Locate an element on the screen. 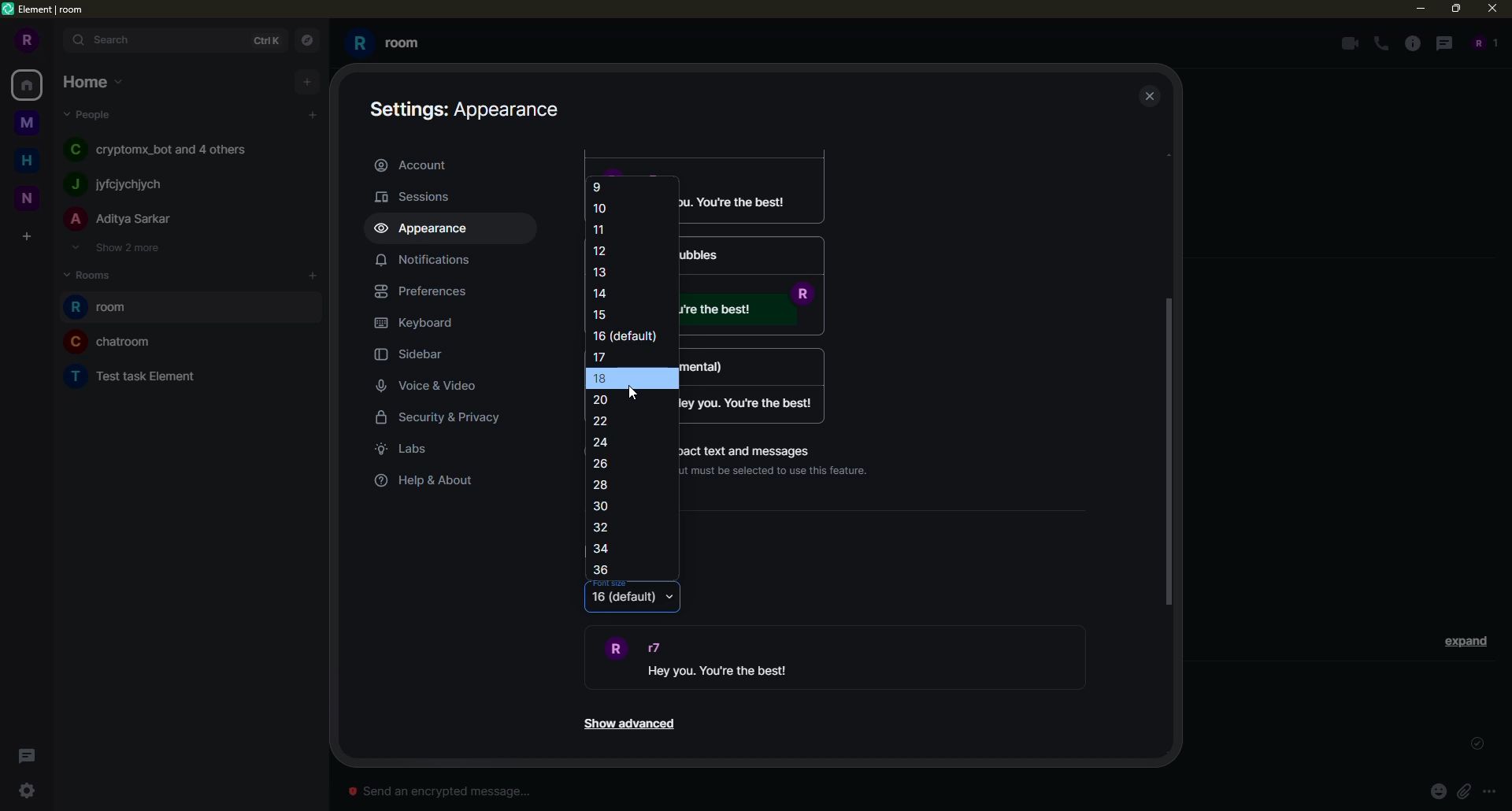 The width and height of the screenshot is (1512, 811). 15 is located at coordinates (606, 313).